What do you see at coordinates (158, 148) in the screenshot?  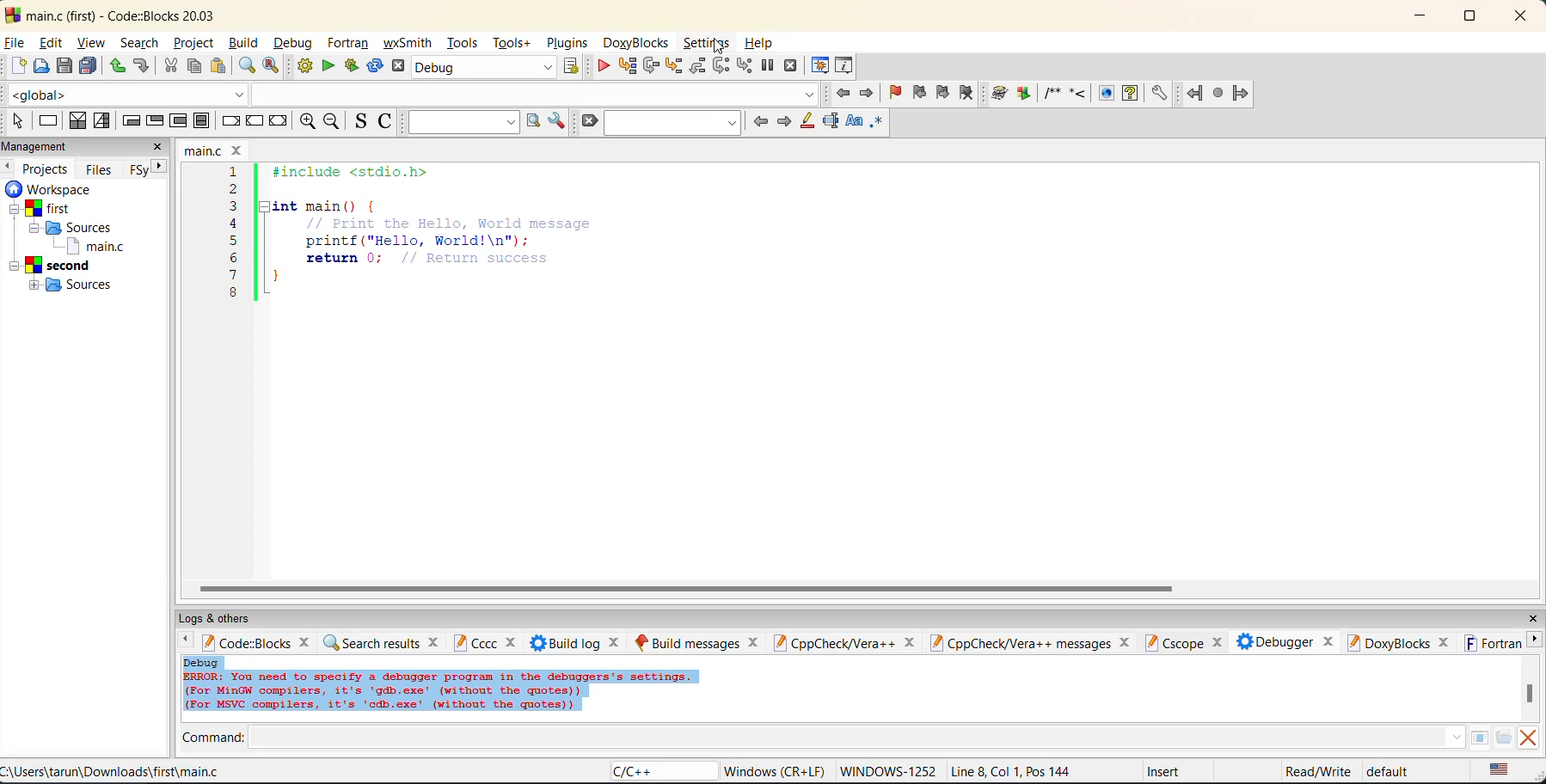 I see `close` at bounding box center [158, 148].